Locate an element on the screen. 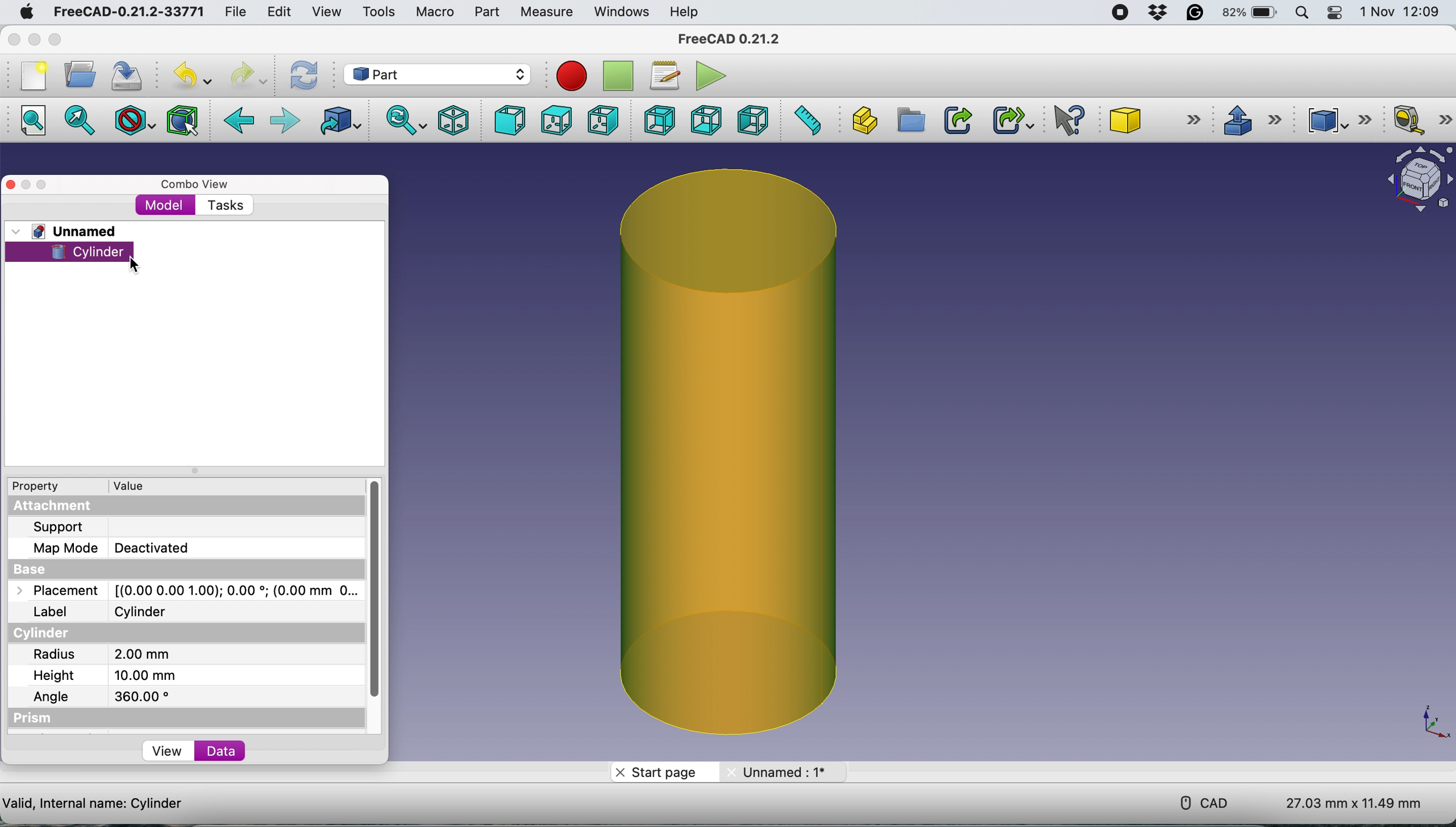 This screenshot has height=827, width=1456. combo view is located at coordinates (199, 183).